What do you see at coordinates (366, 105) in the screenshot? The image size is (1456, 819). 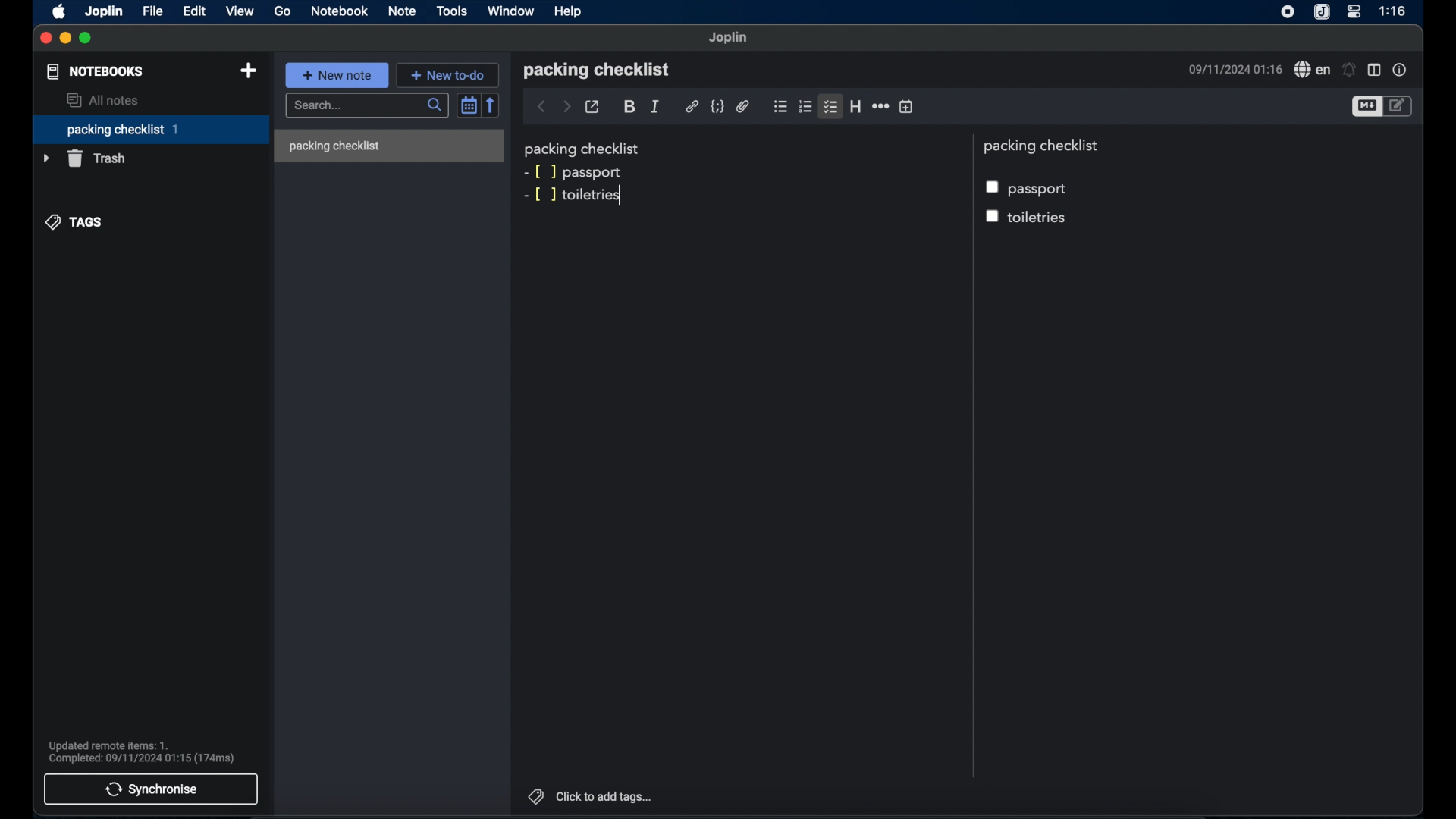 I see `search bar` at bounding box center [366, 105].